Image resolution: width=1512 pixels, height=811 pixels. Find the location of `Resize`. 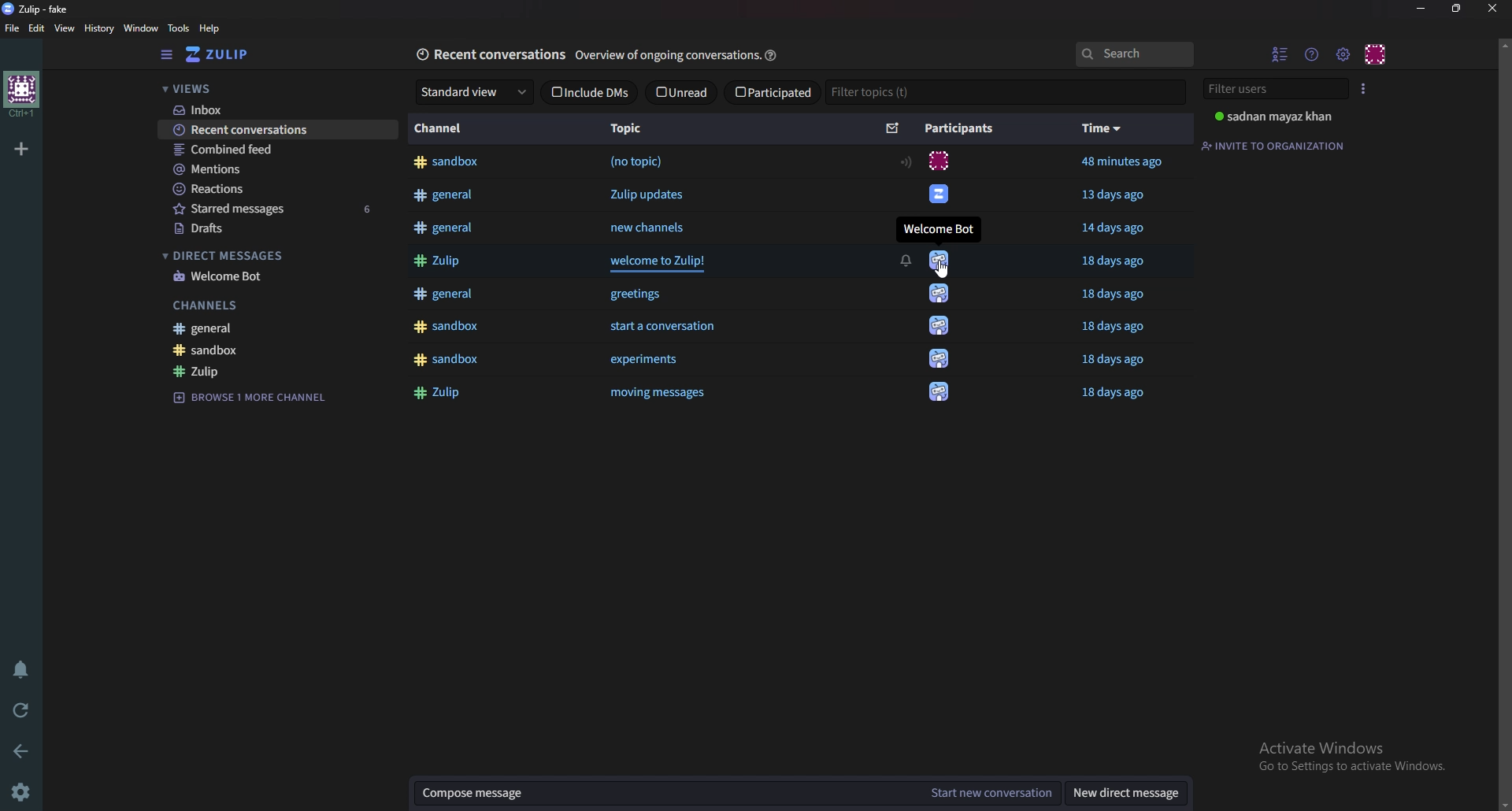

Resize is located at coordinates (1457, 9).